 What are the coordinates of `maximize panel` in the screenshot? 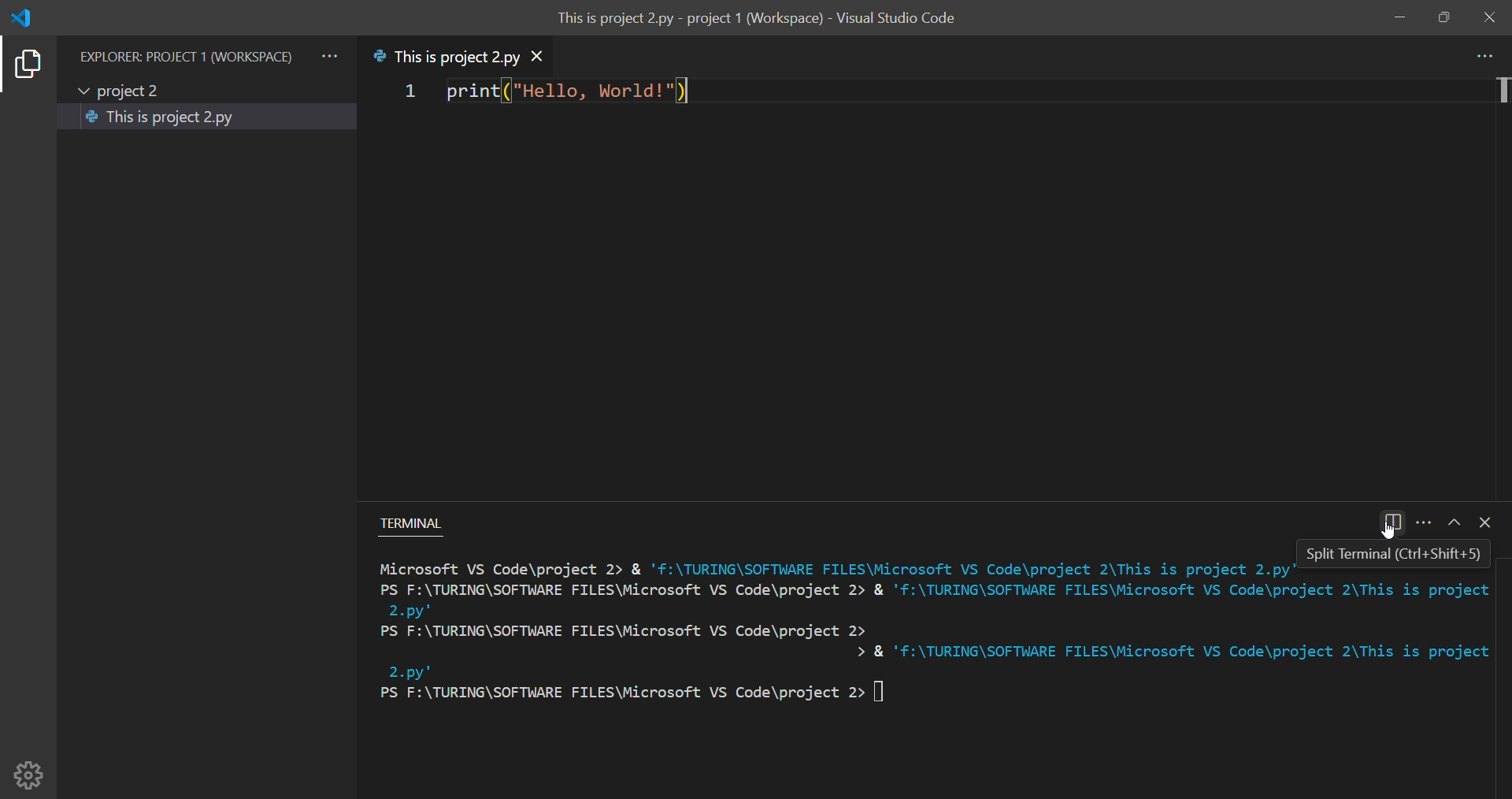 It's located at (1451, 523).